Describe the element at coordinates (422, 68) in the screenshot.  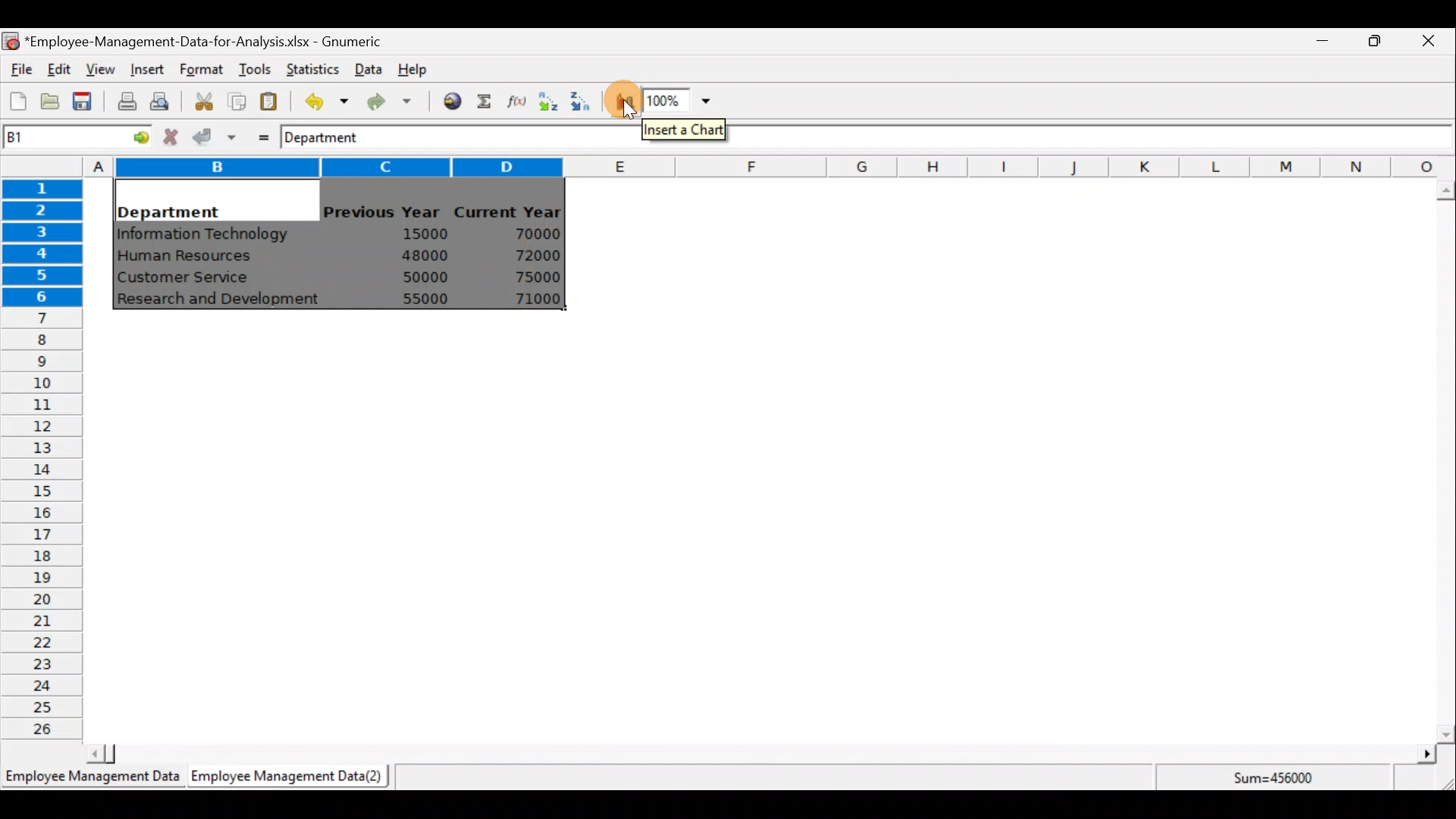
I see `Help` at that location.